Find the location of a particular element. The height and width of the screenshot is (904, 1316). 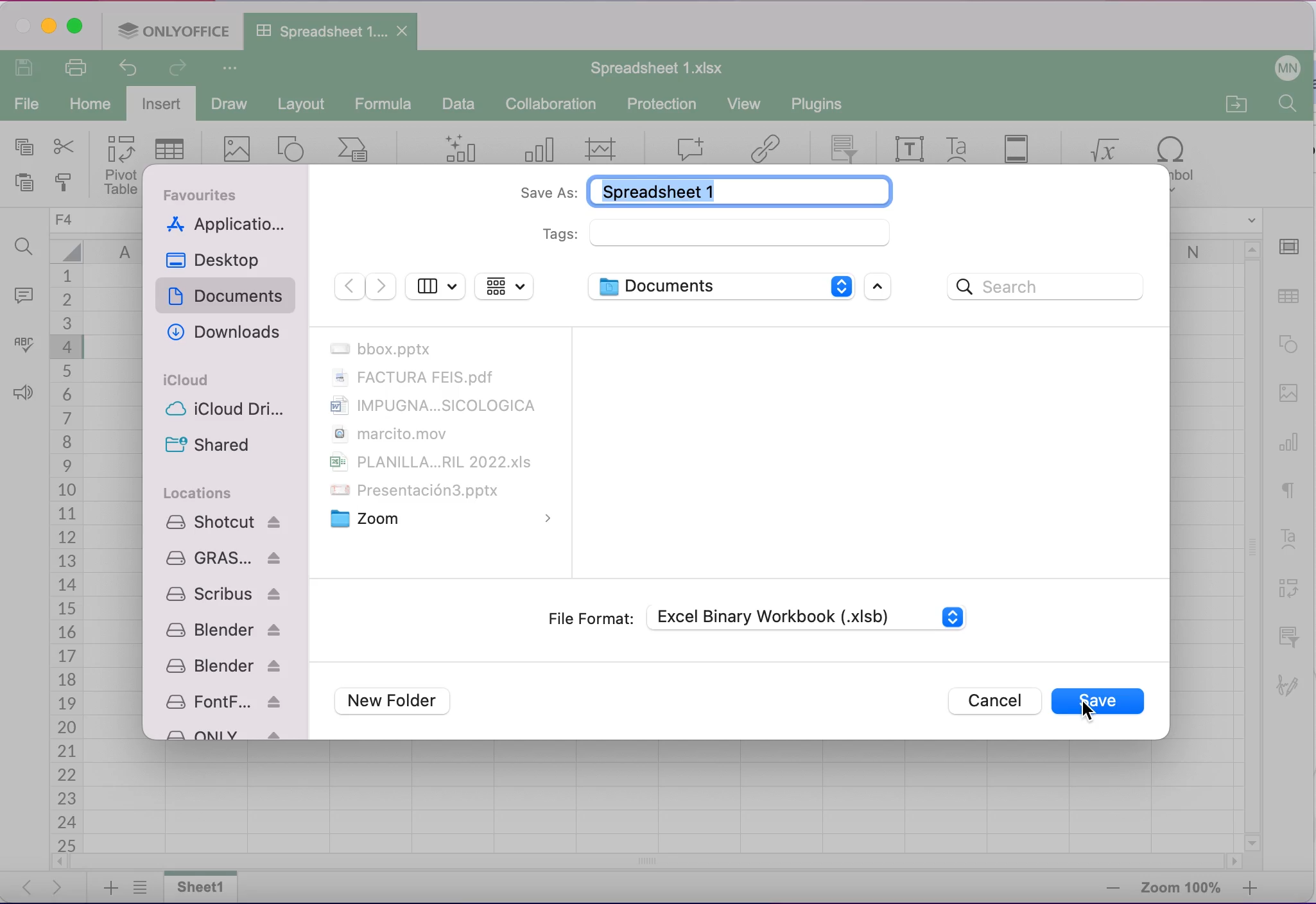

tags is located at coordinates (718, 233).